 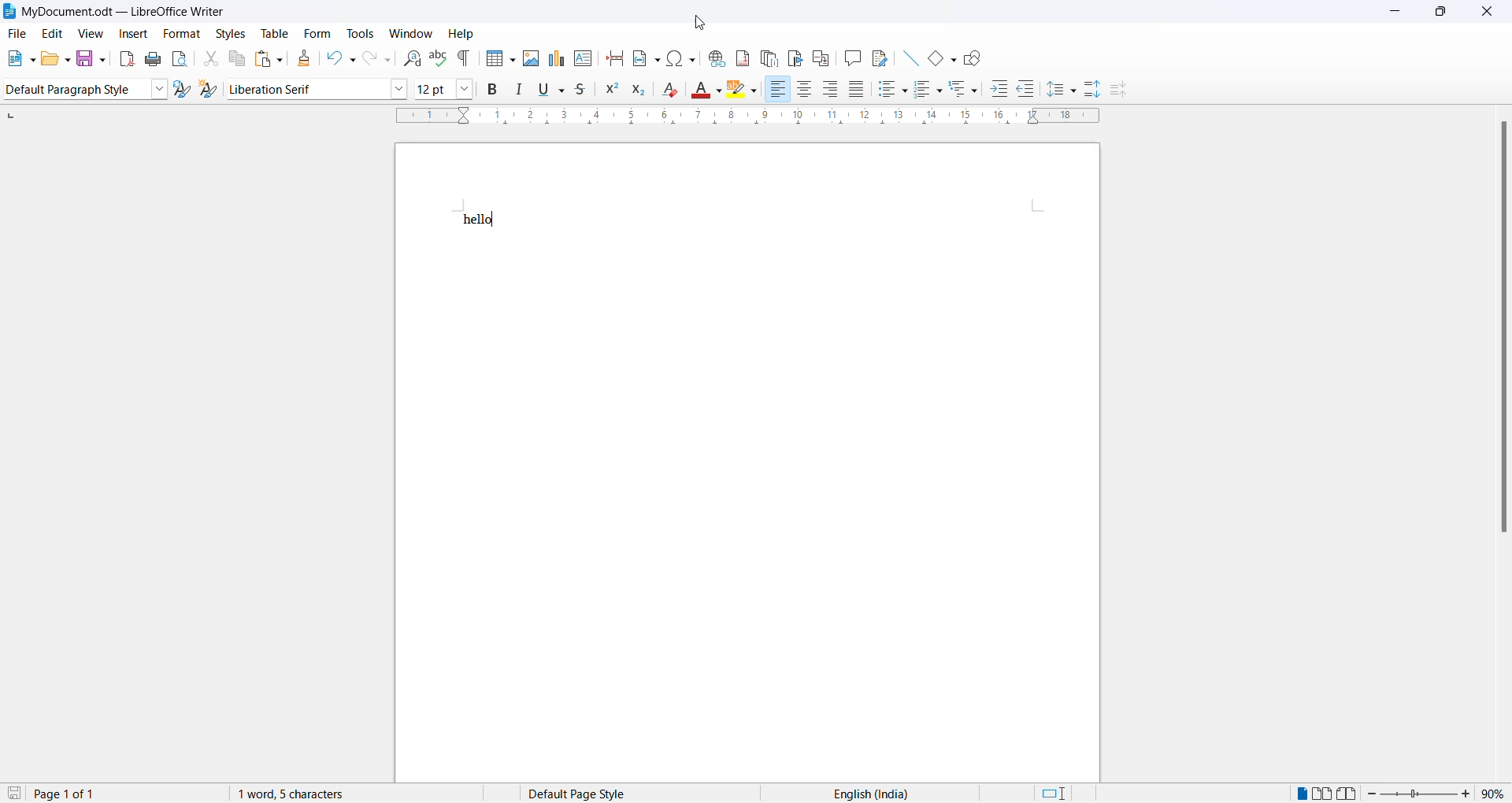 I want to click on Insert table, so click(x=500, y=60).